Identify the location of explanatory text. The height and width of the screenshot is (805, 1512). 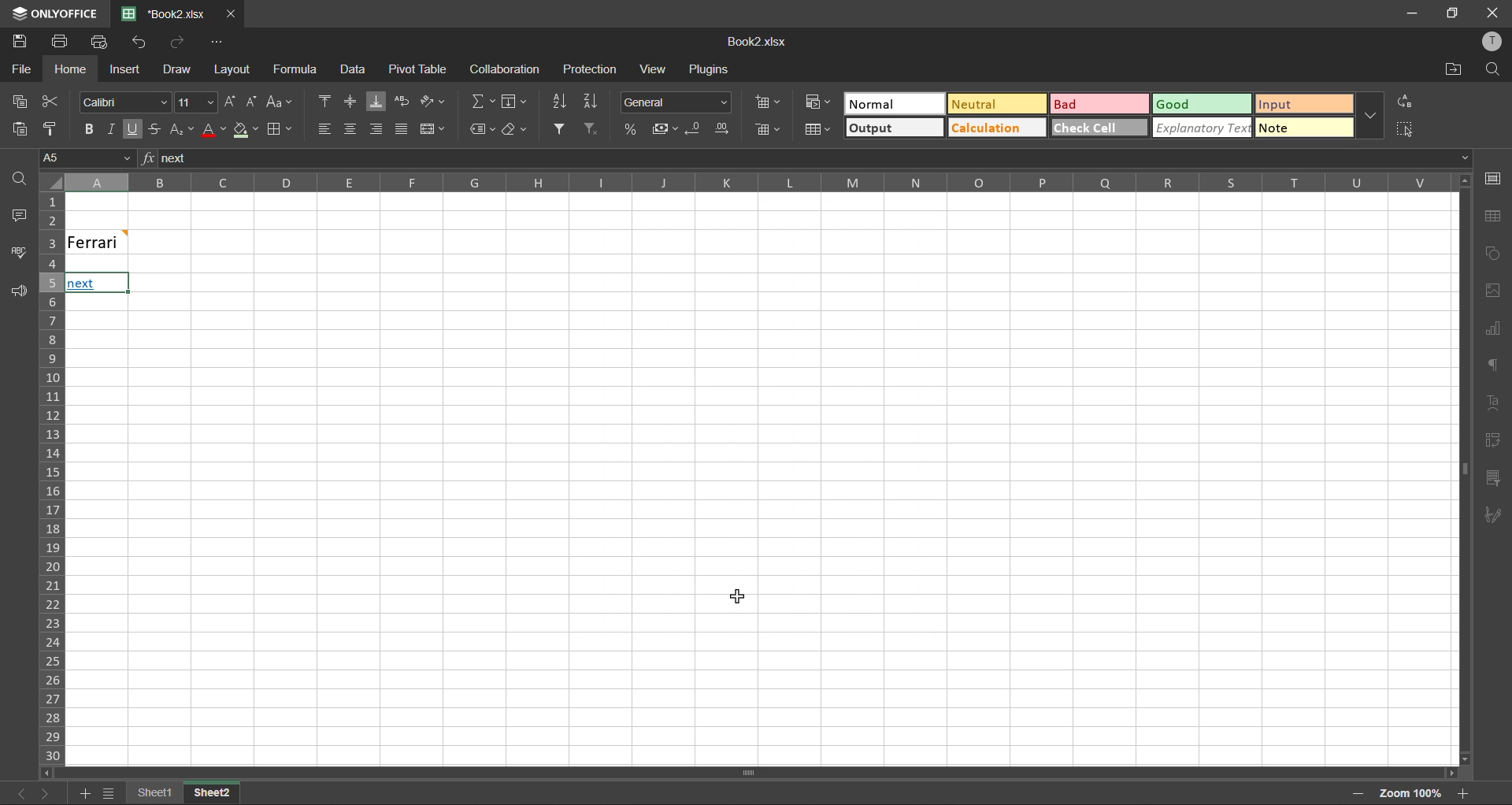
(1201, 130).